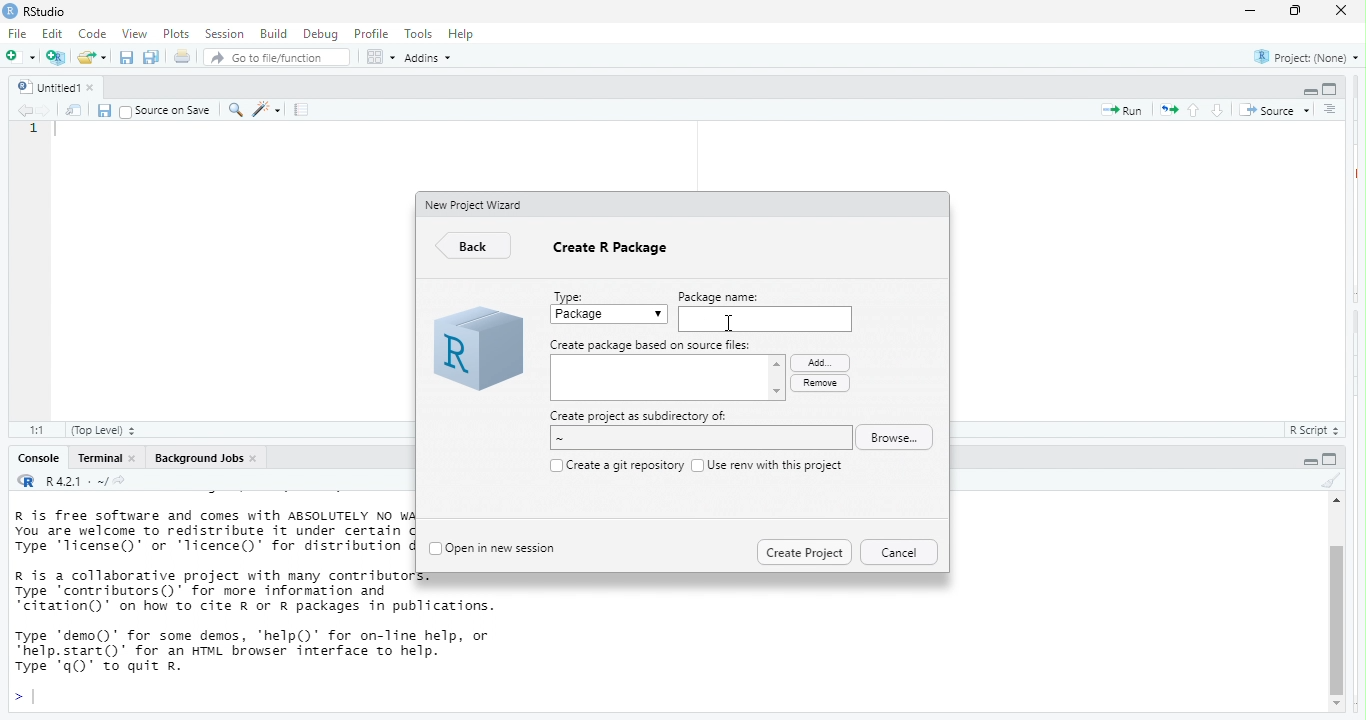  Describe the element at coordinates (224, 34) in the screenshot. I see `Session` at that location.